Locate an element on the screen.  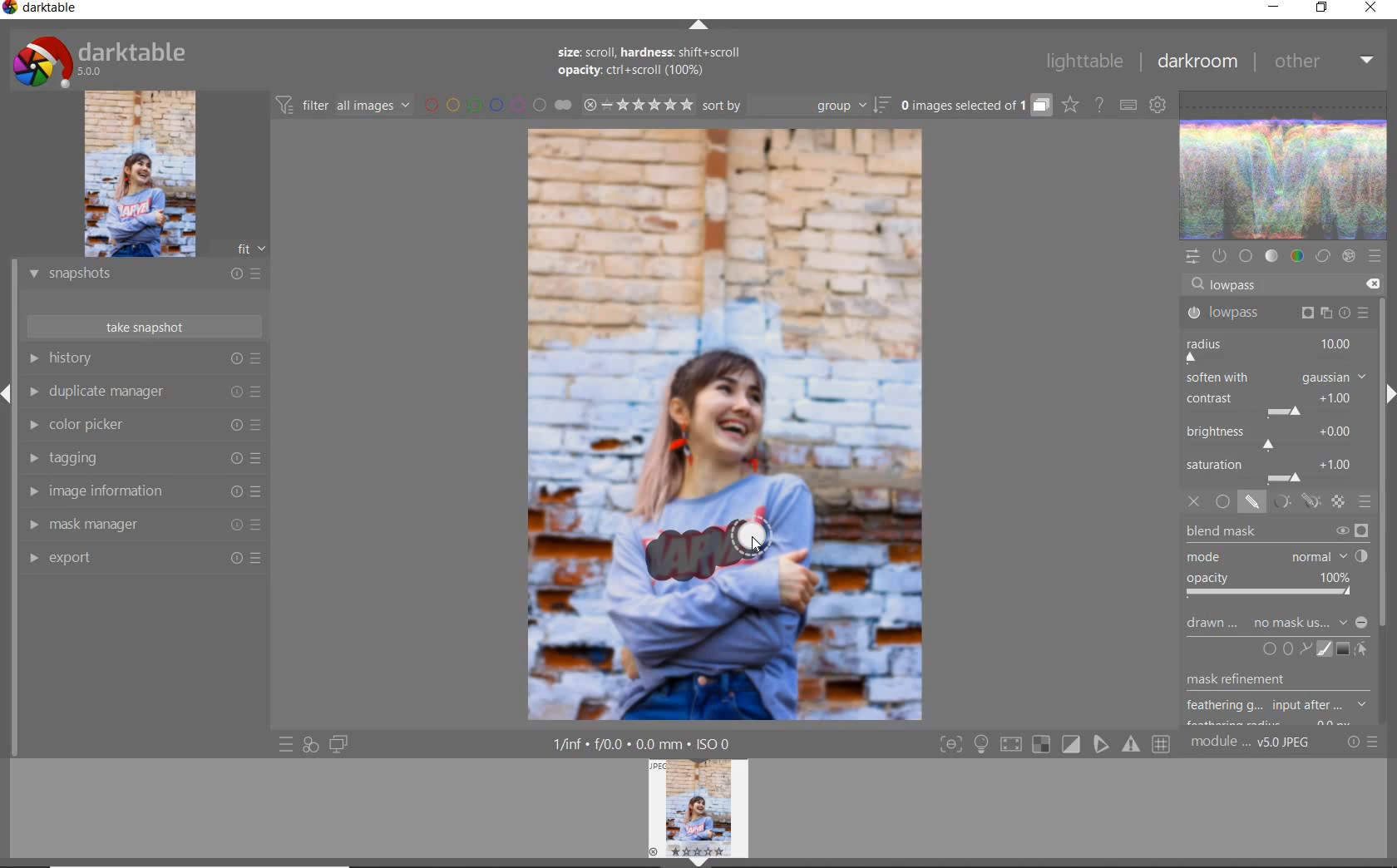
click to change overlays on thumbnails is located at coordinates (1069, 104).